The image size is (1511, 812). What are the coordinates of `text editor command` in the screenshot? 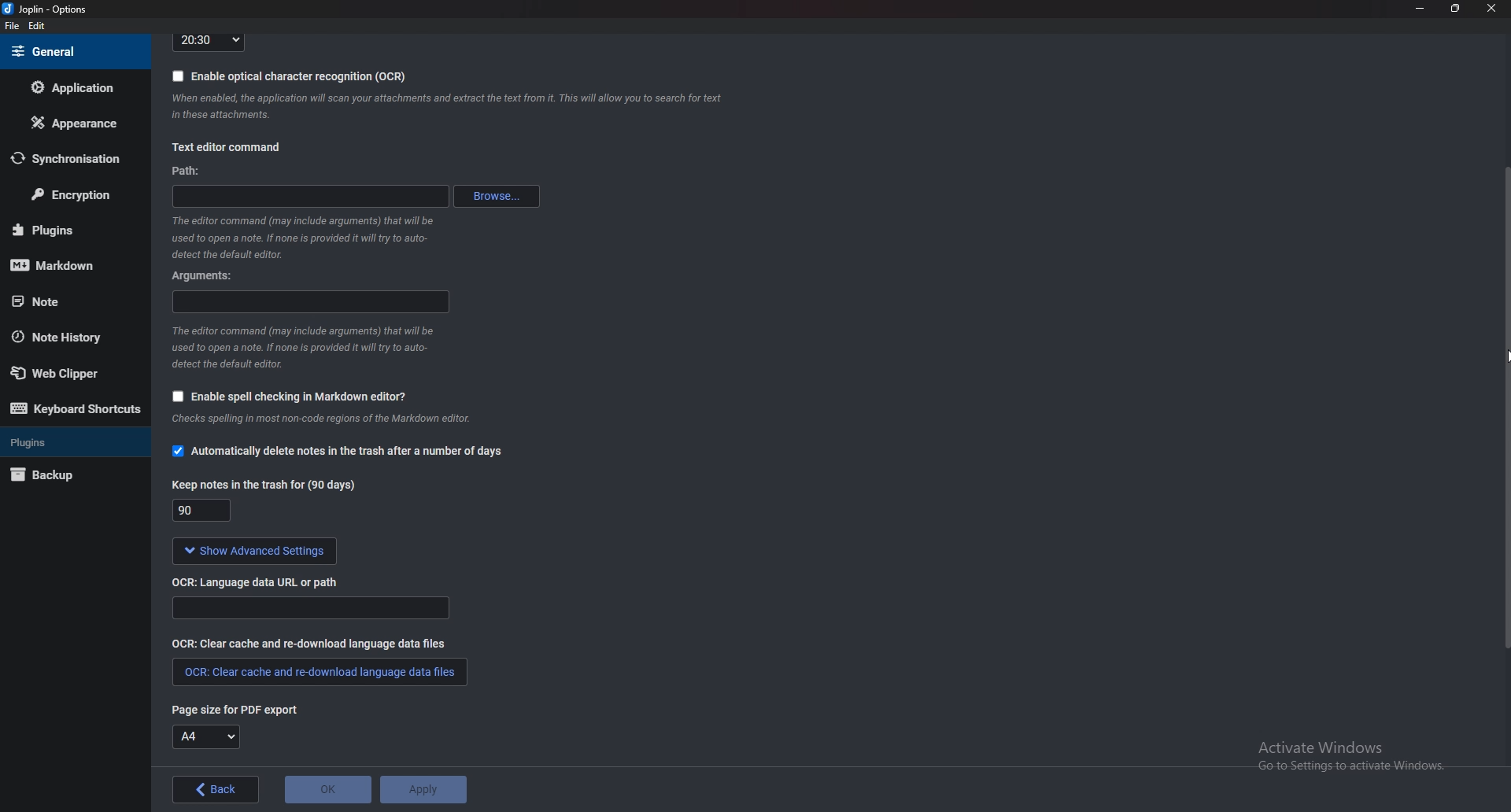 It's located at (226, 149).